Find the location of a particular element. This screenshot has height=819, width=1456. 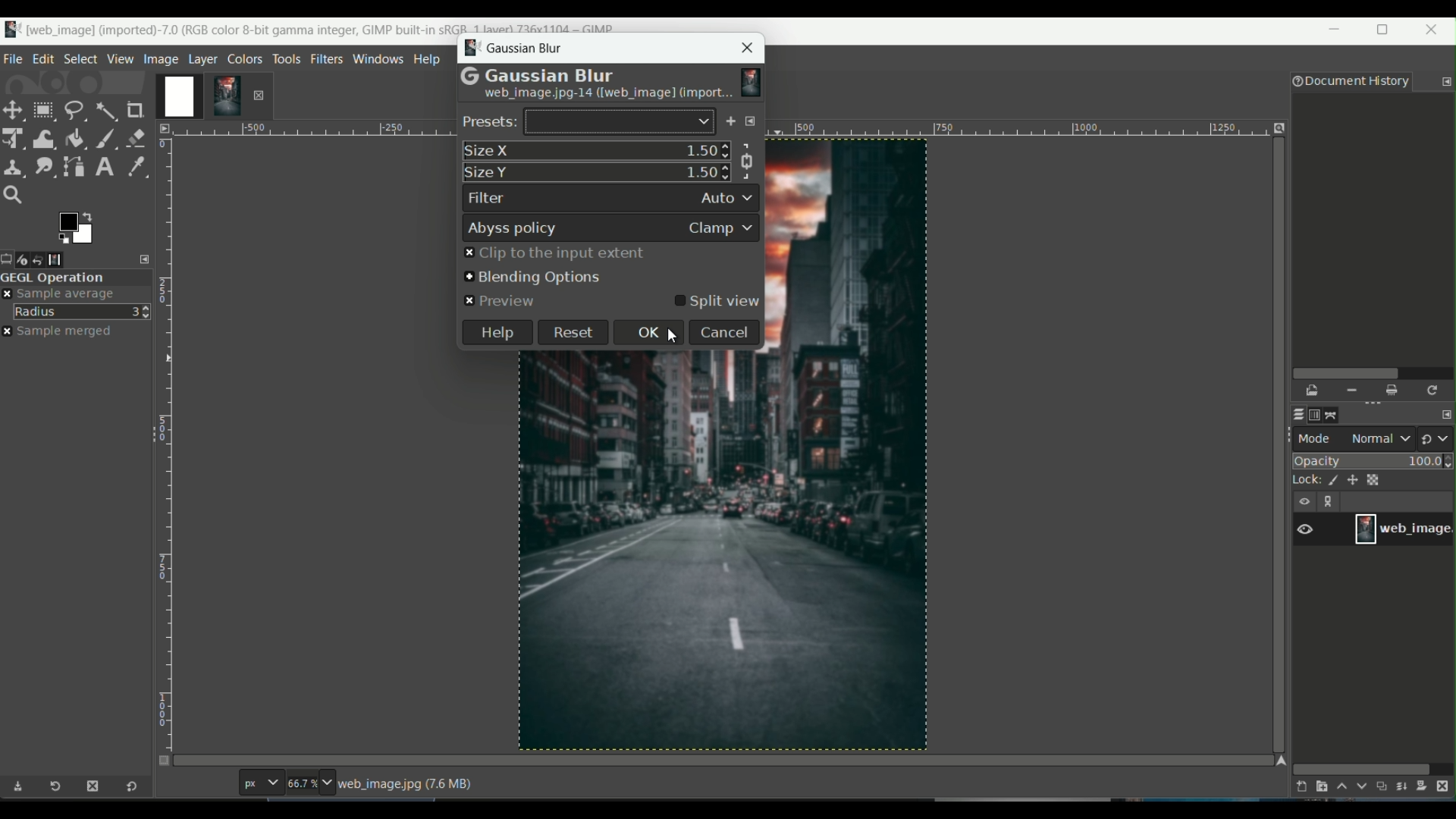

gaussian blur is located at coordinates (516, 49).